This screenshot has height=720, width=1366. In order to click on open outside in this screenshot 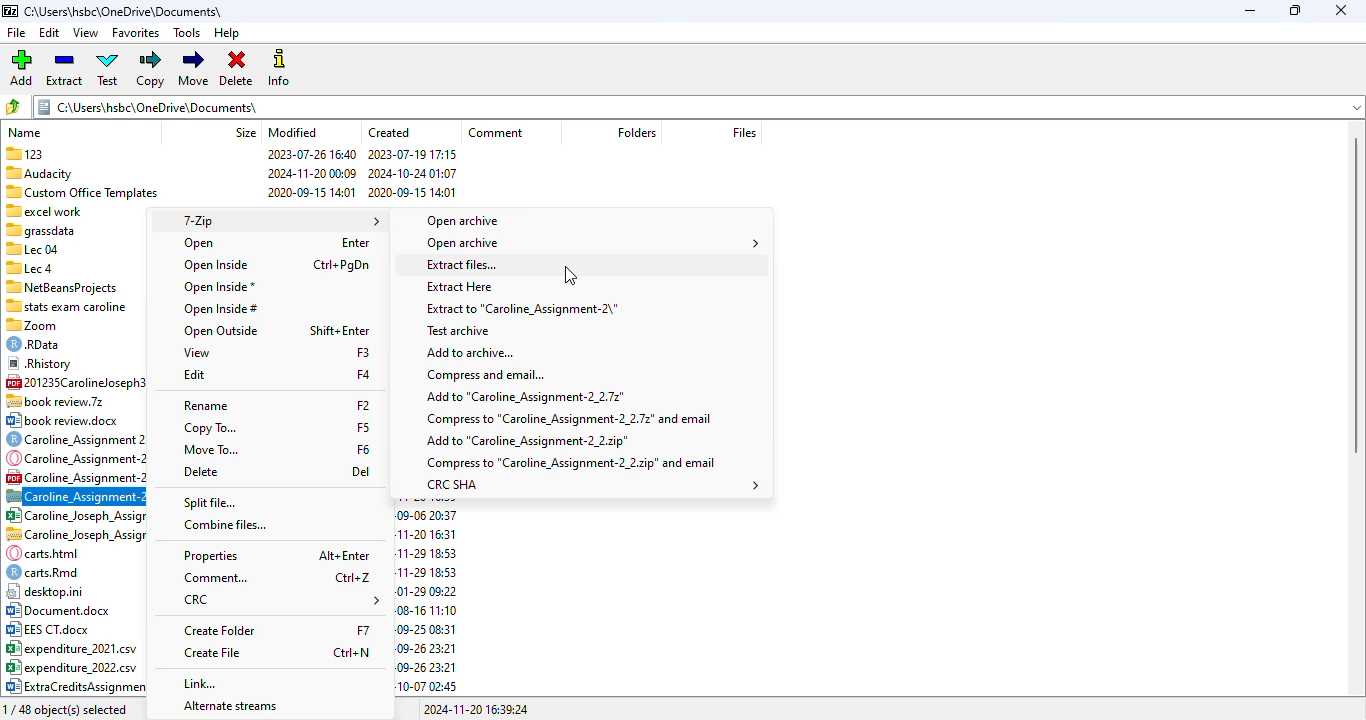, I will do `click(221, 331)`.